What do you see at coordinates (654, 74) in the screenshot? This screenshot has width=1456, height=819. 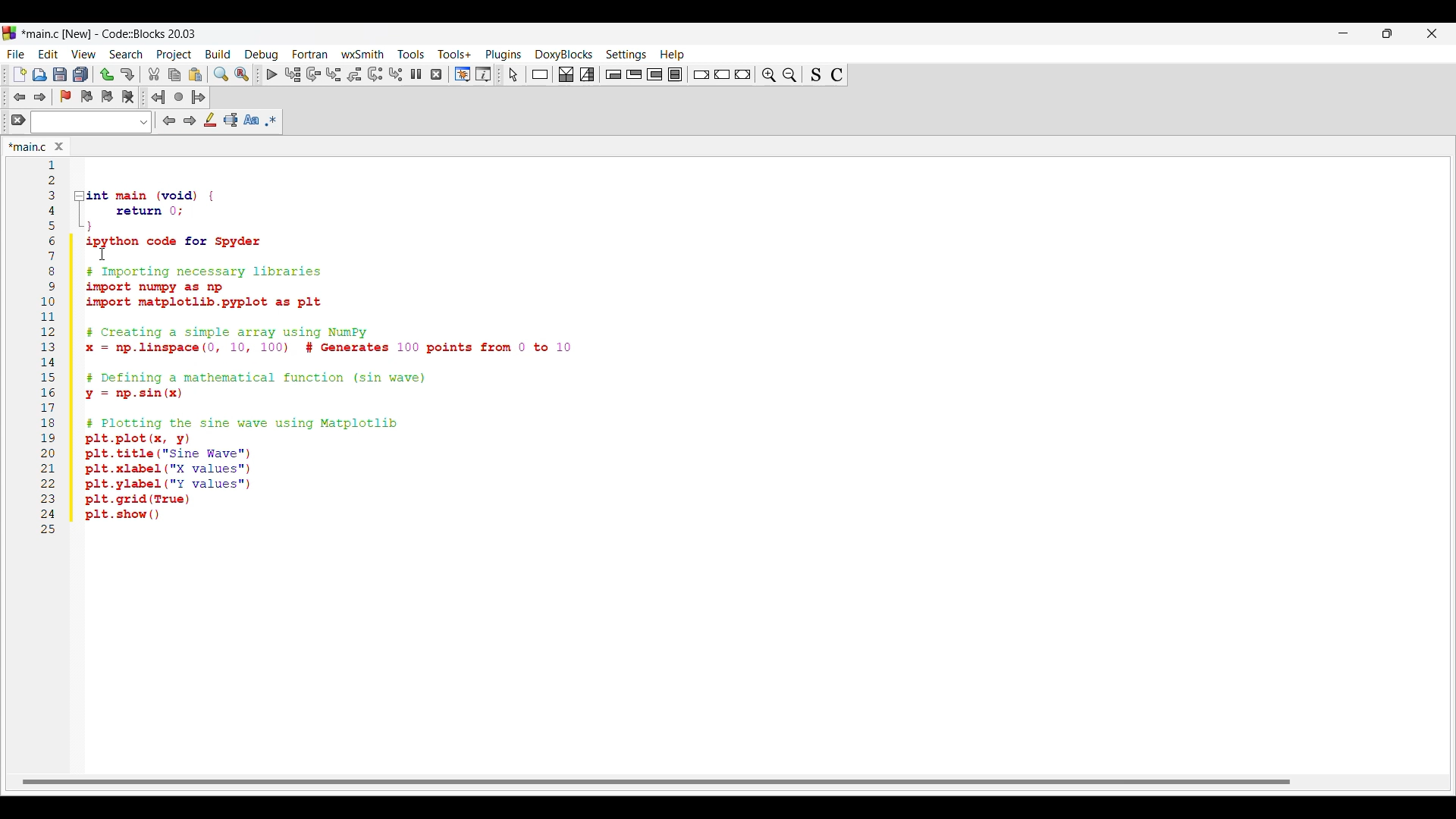 I see `Counting loop` at bounding box center [654, 74].